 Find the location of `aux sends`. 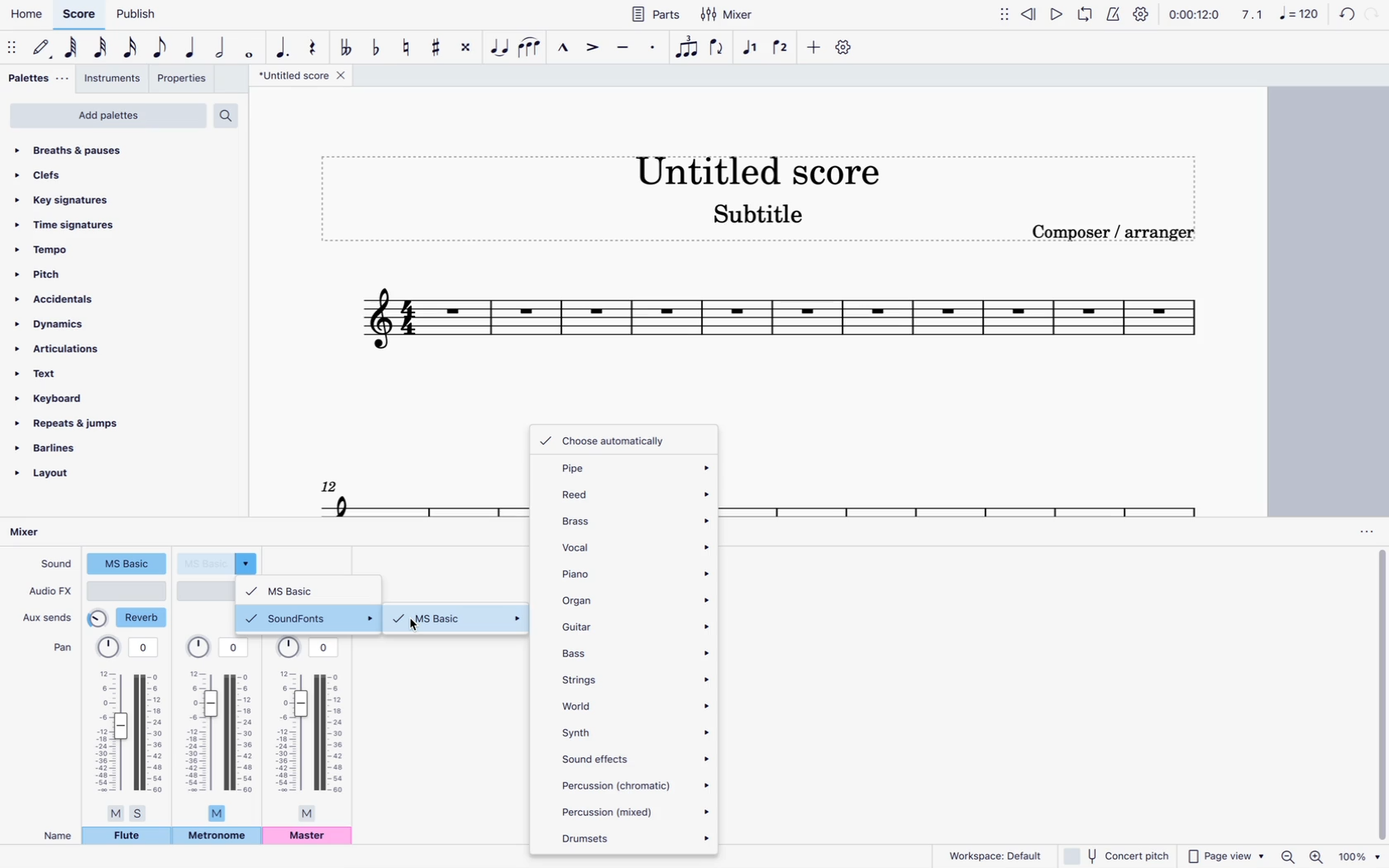

aux sends is located at coordinates (50, 617).